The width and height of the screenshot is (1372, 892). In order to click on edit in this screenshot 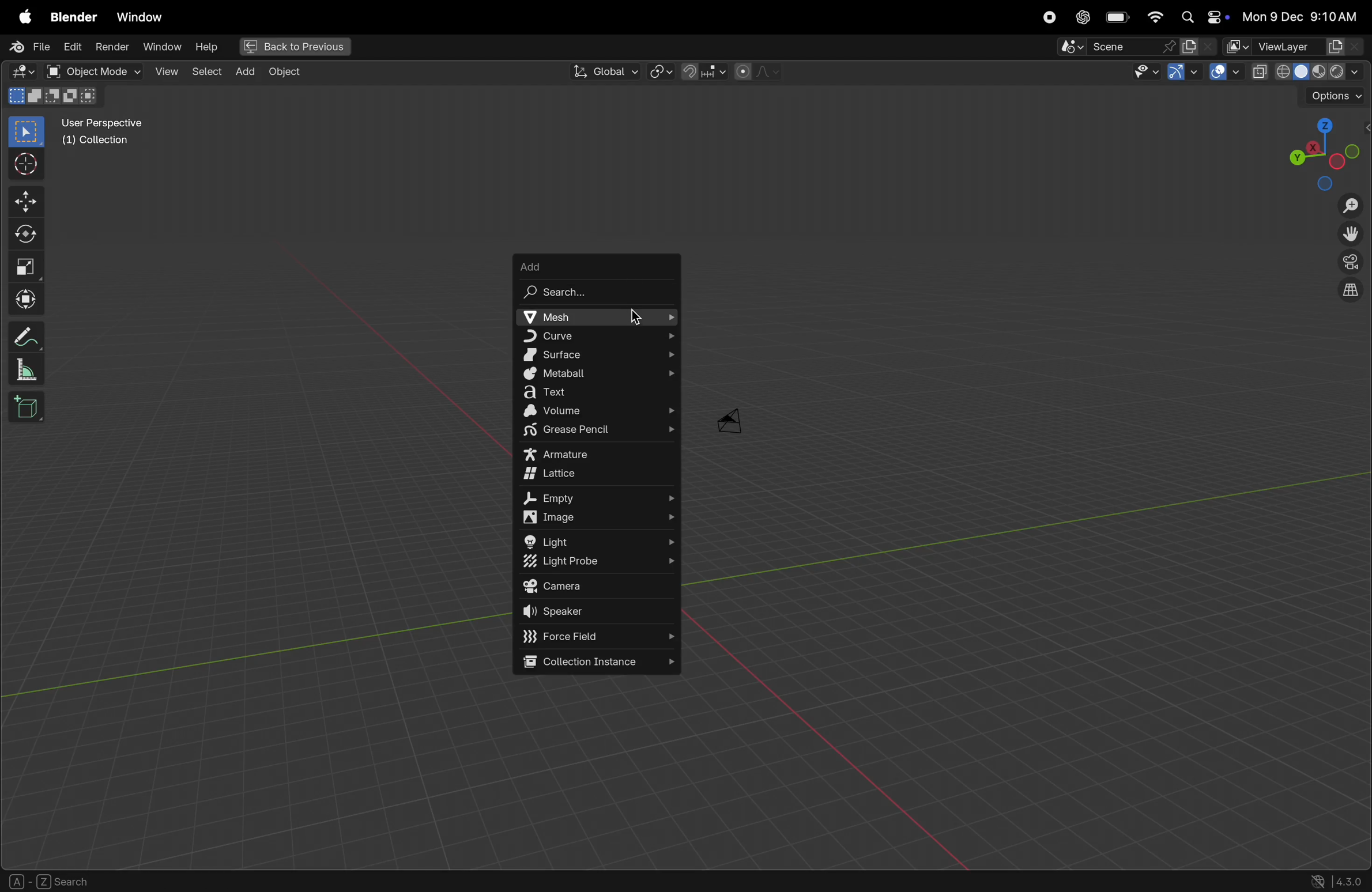, I will do `click(70, 46)`.